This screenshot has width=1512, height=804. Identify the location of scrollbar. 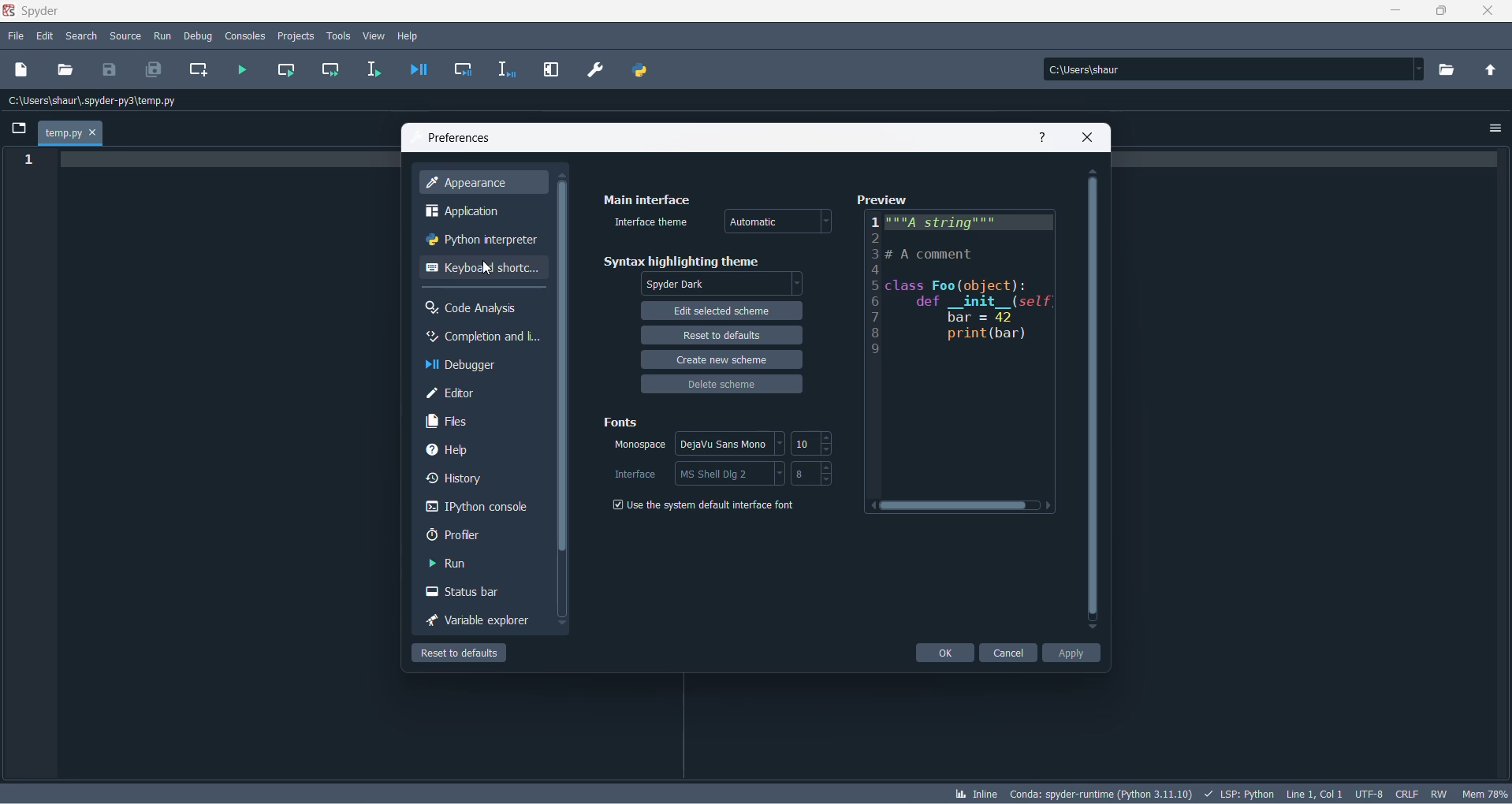
(566, 367).